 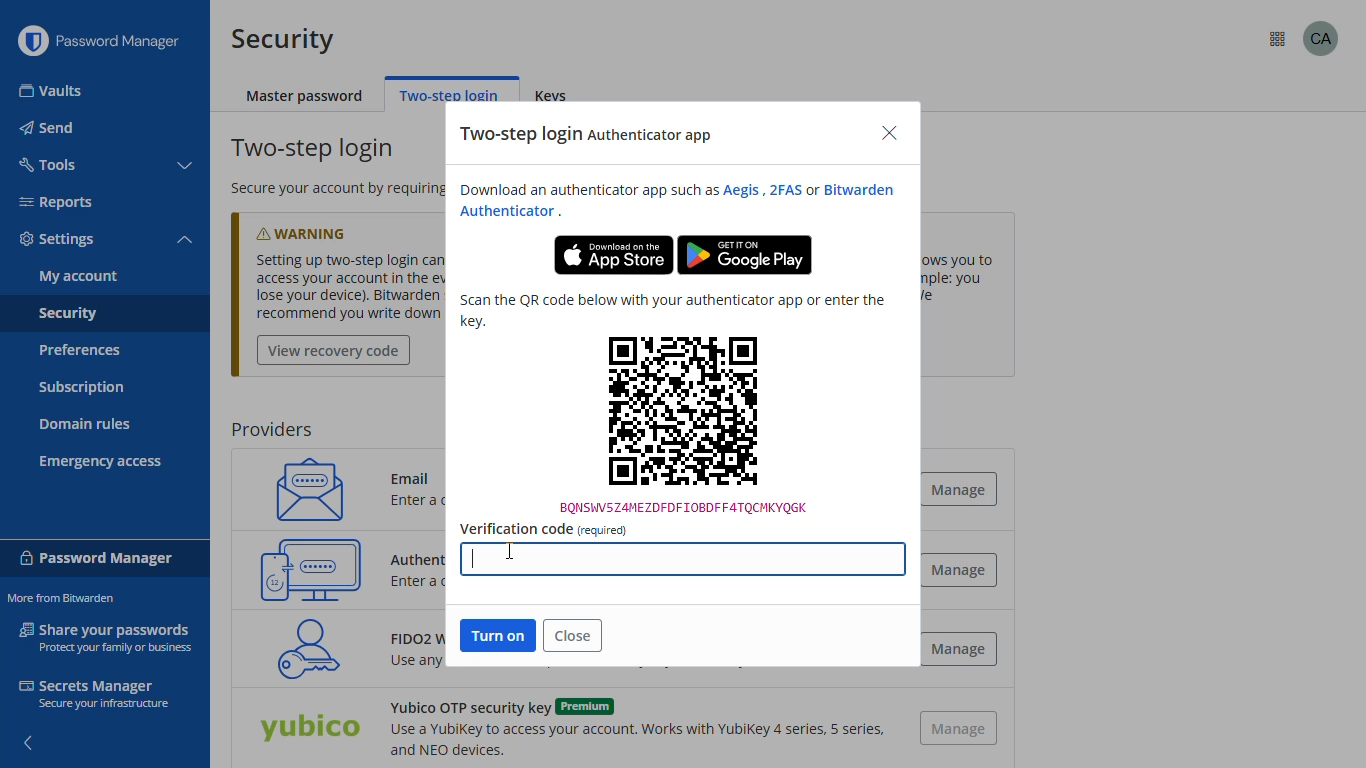 I want to click on manage, so click(x=957, y=488).